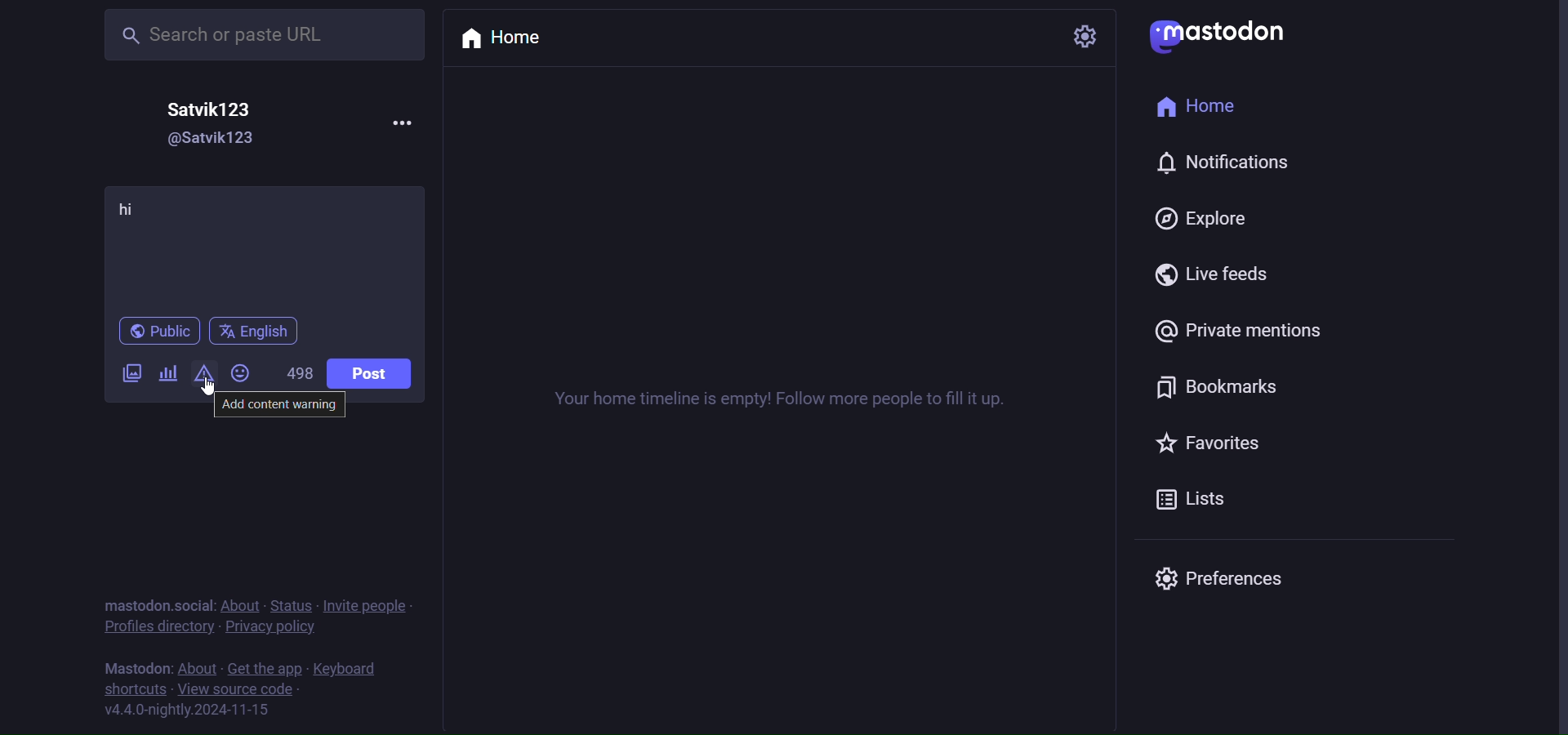 This screenshot has width=1568, height=735. What do you see at coordinates (795, 400) in the screenshot?
I see `instruction` at bounding box center [795, 400].